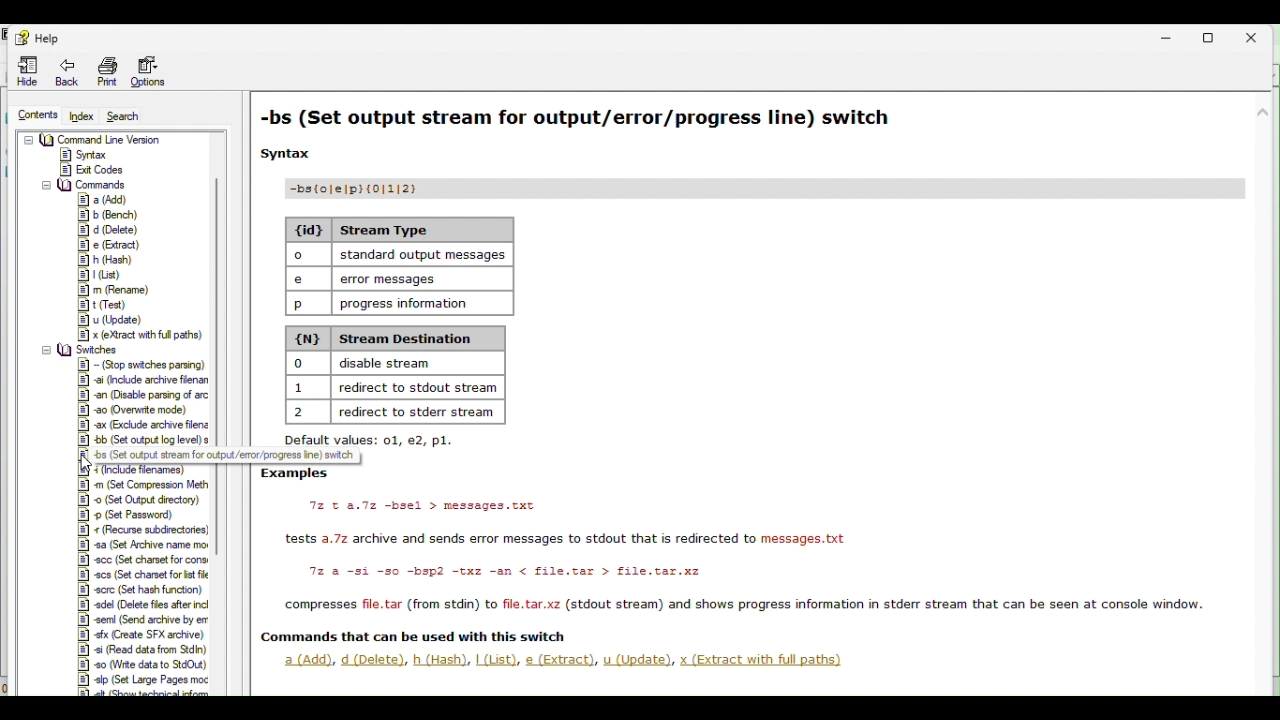 The width and height of the screenshot is (1280, 720). I want to click on d (Delete),, so click(374, 660).